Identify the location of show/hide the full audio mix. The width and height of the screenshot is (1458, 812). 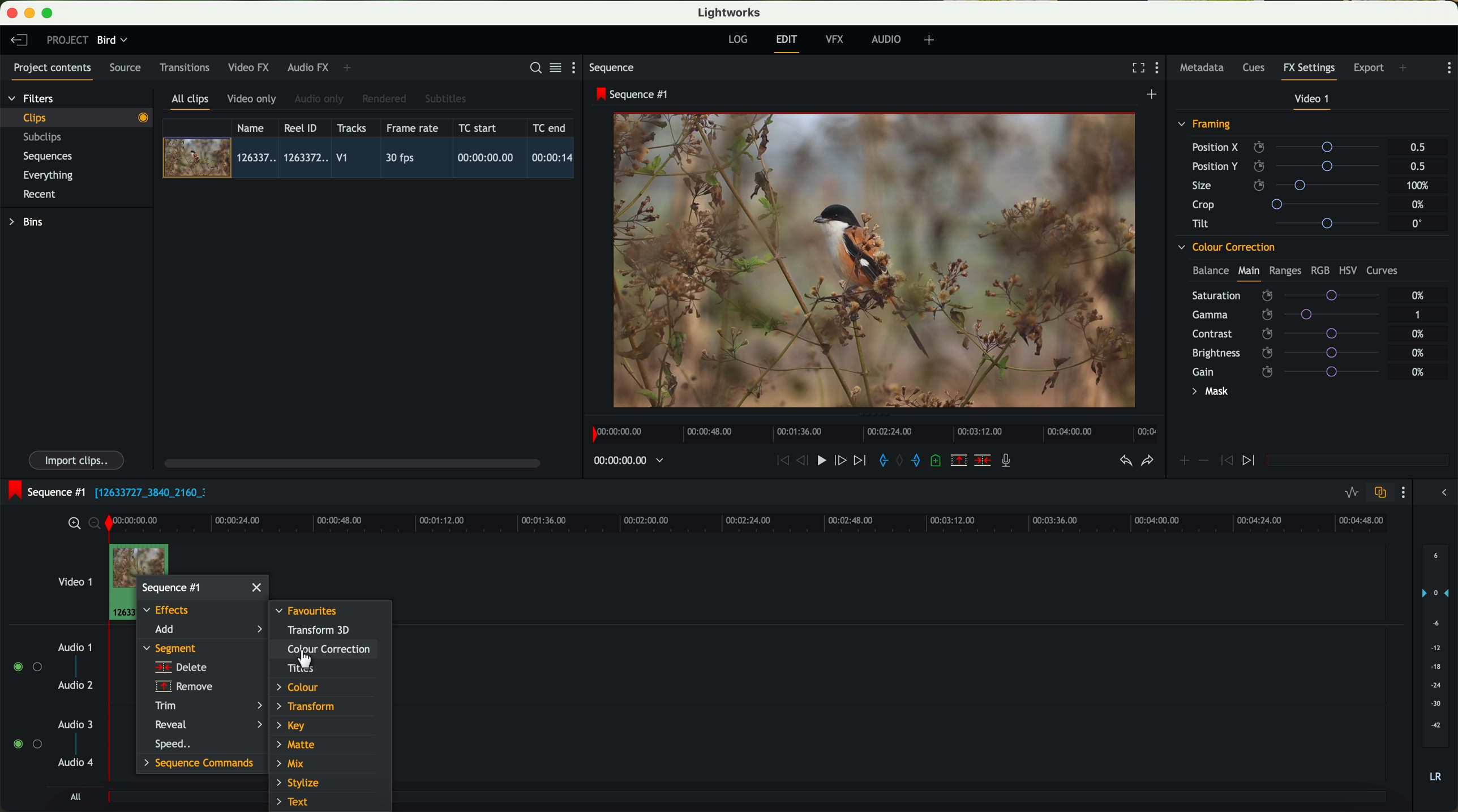
(1440, 493).